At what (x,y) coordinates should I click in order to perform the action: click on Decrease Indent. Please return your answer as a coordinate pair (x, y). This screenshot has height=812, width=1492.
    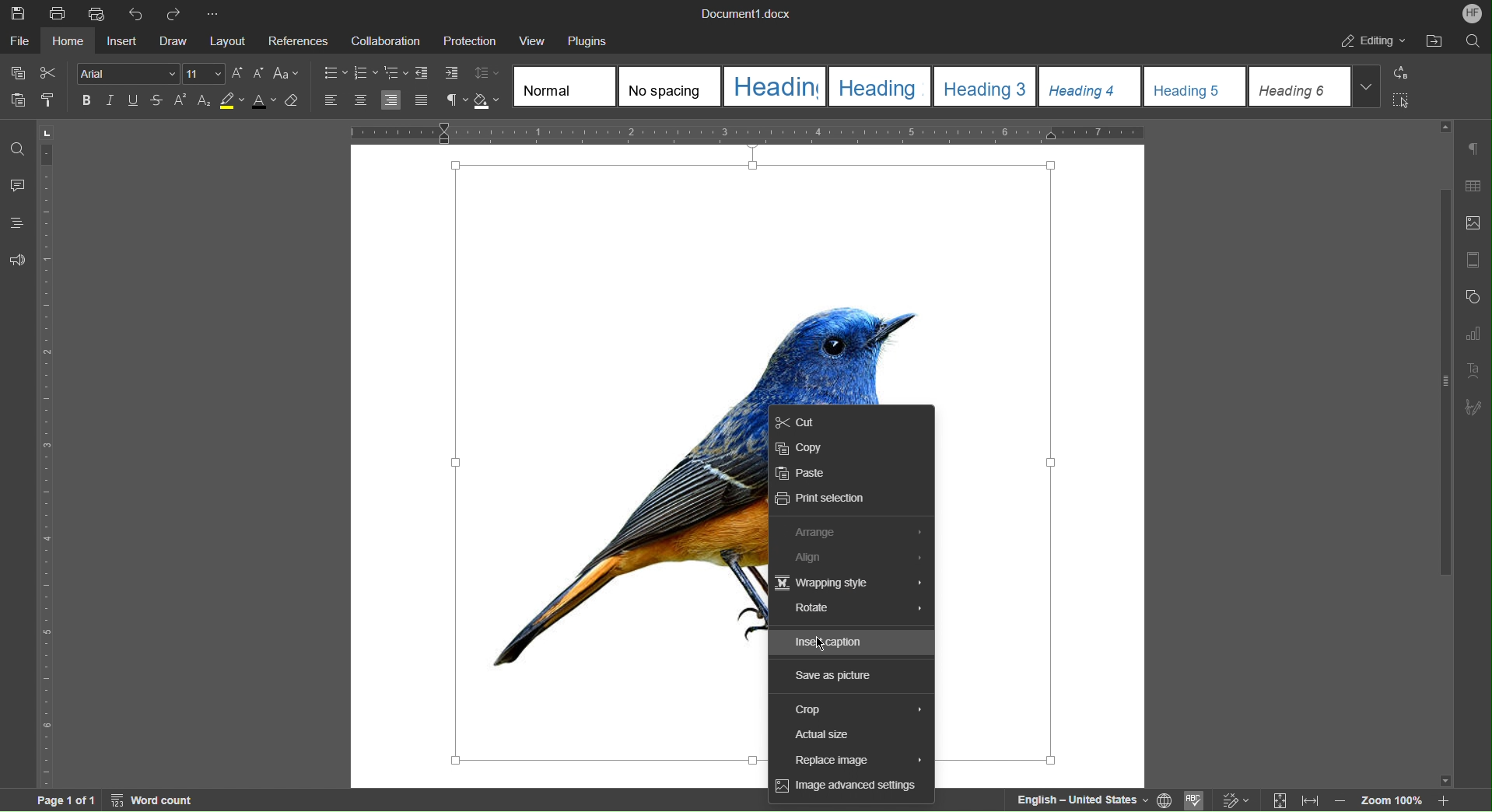
    Looking at the image, I should click on (423, 72).